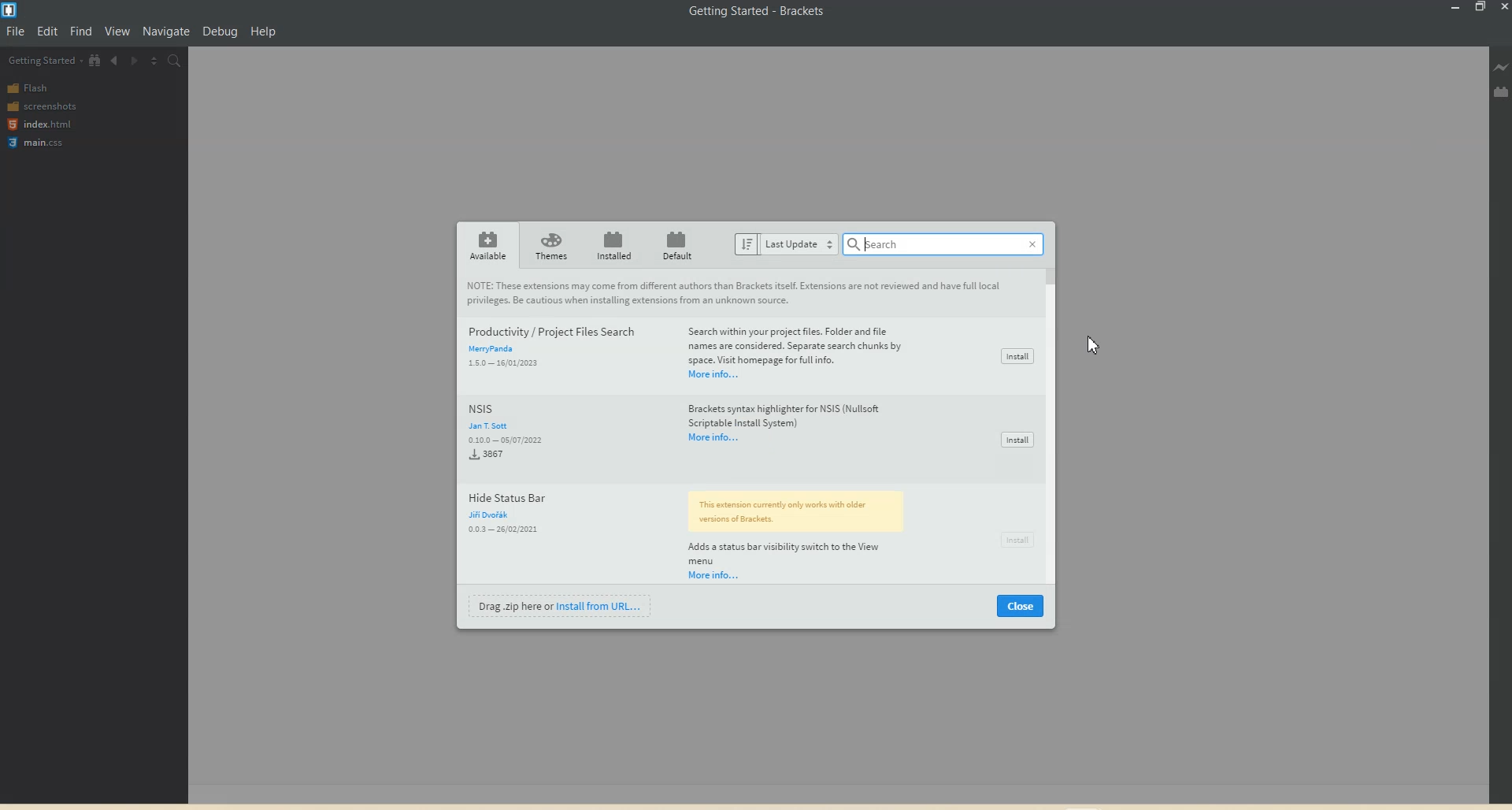 This screenshot has height=810, width=1512. What do you see at coordinates (551, 346) in the screenshot?
I see `Productivity / Project Files Search
Merypanda
160 15/0200` at bounding box center [551, 346].